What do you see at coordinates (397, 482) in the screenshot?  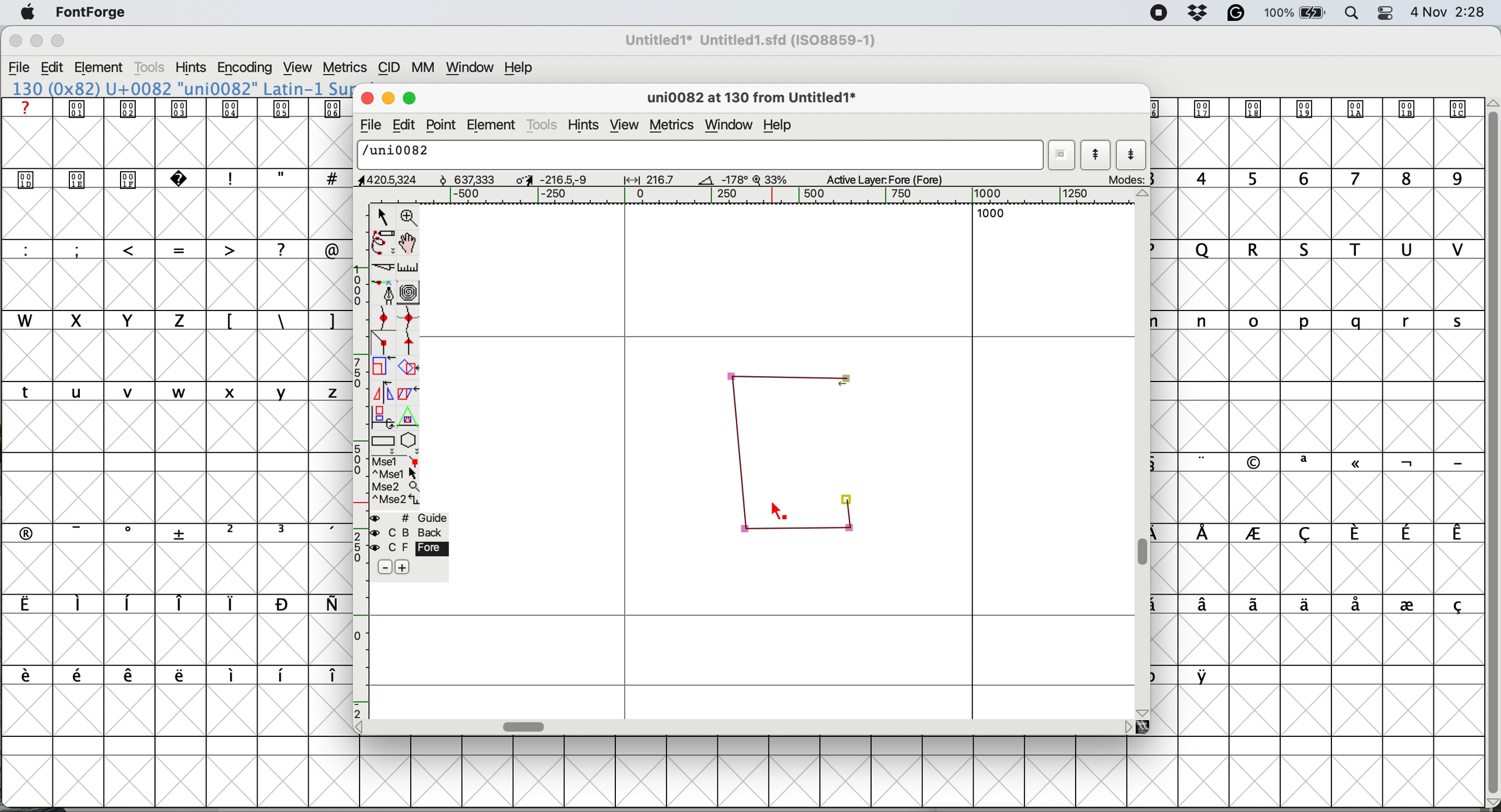 I see `selections` at bounding box center [397, 482].